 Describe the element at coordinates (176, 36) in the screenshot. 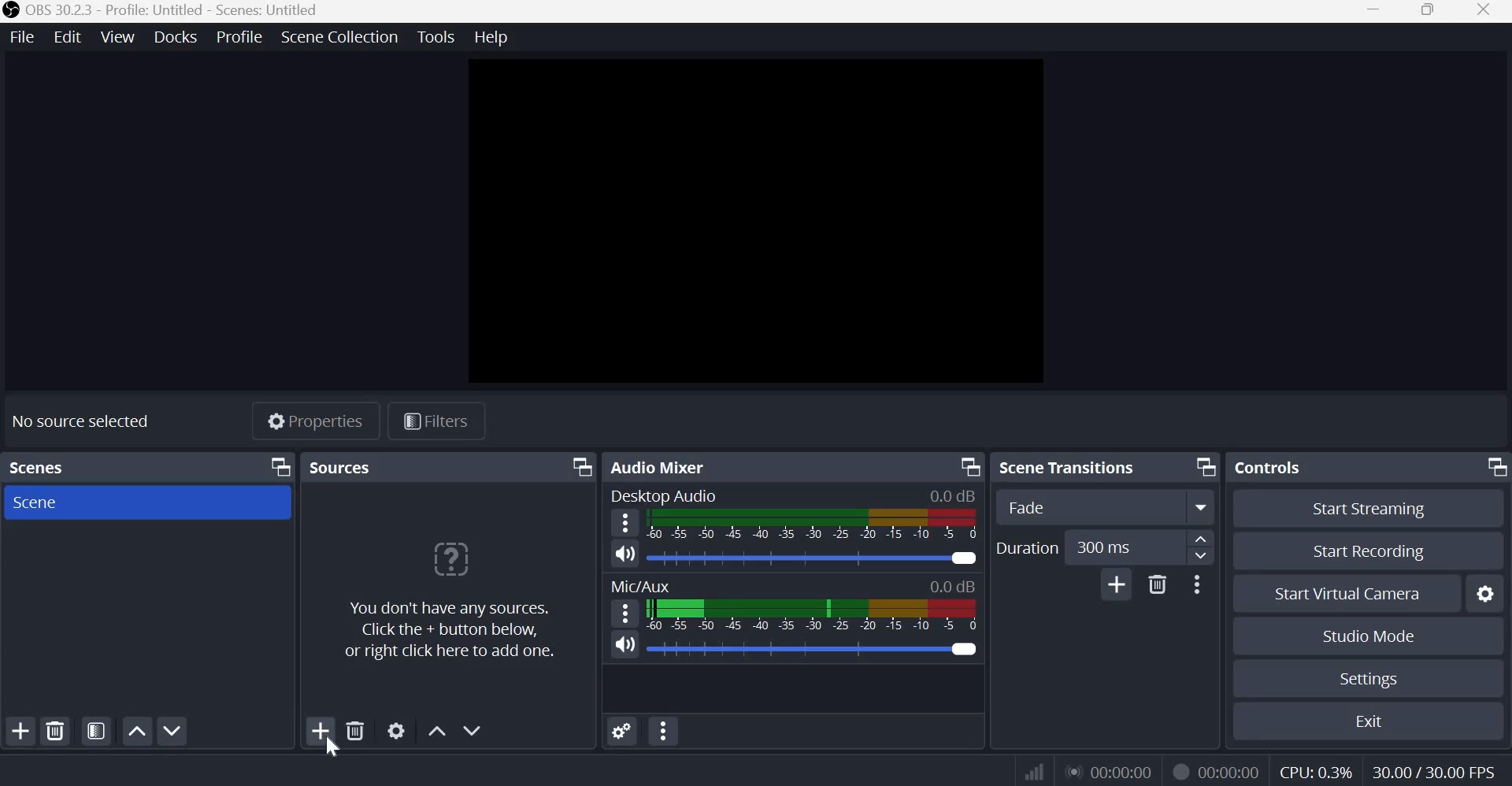

I see `Docks` at that location.